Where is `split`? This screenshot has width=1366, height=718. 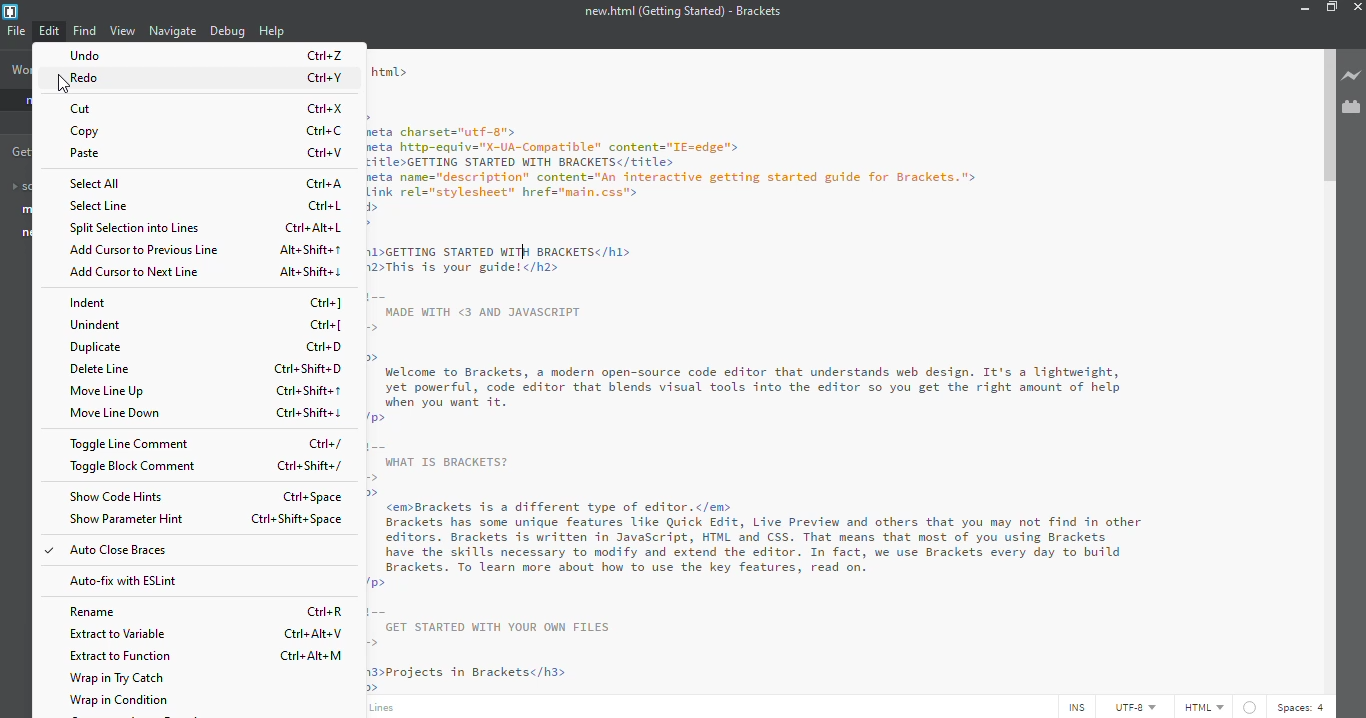 split is located at coordinates (136, 228).